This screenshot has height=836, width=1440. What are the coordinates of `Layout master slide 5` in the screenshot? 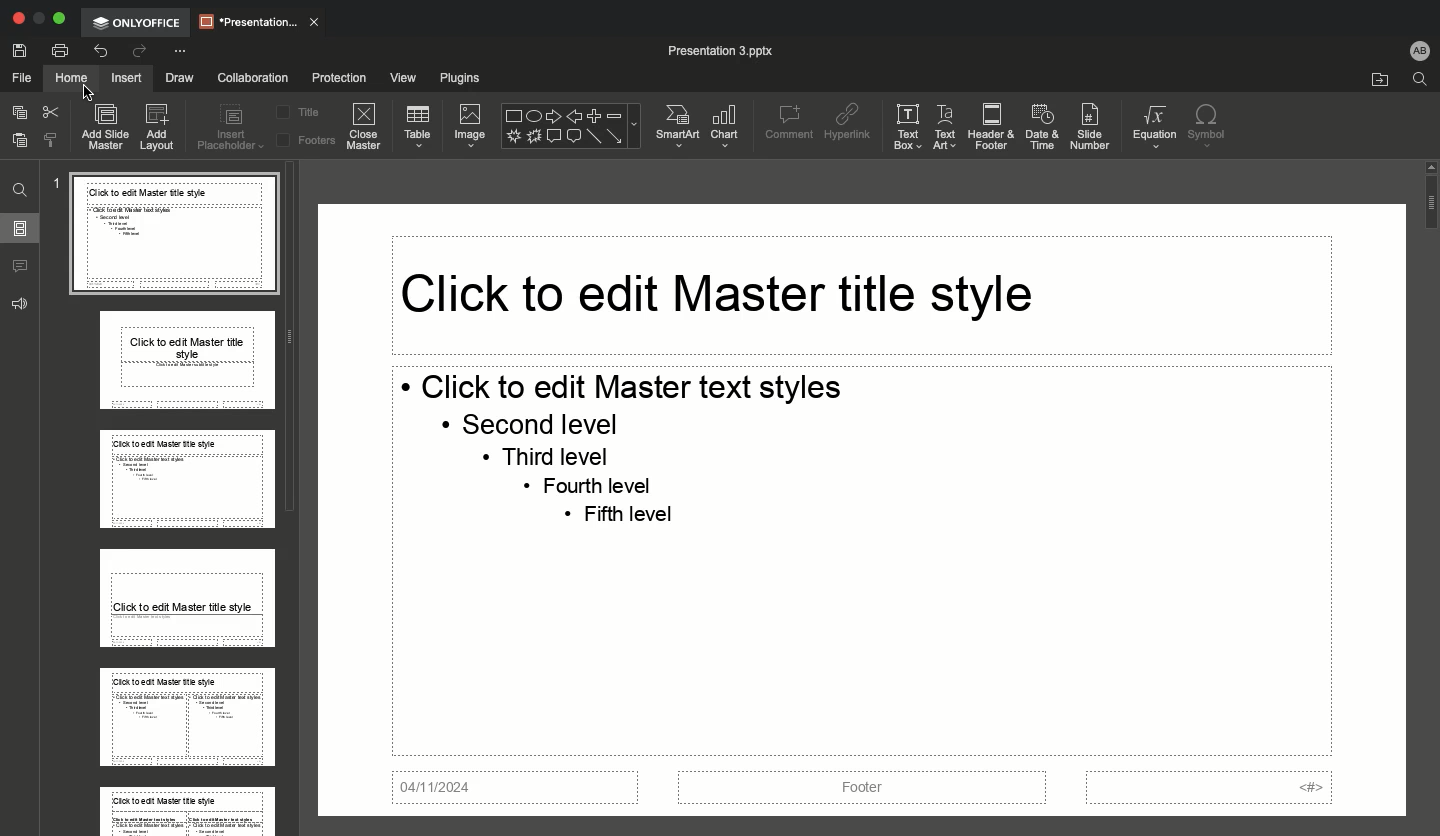 It's located at (182, 716).